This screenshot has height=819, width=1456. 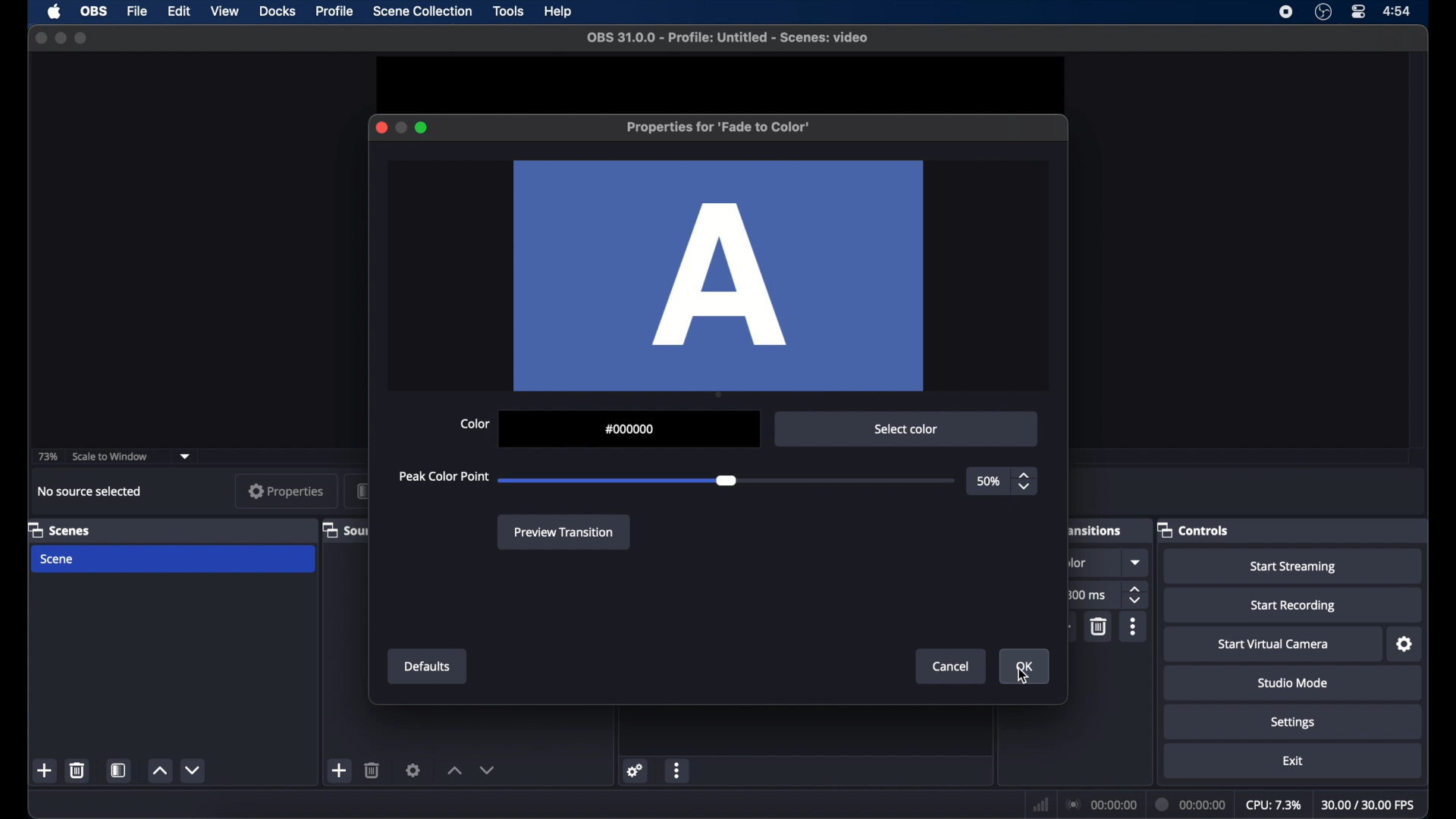 What do you see at coordinates (44, 770) in the screenshot?
I see `add` at bounding box center [44, 770].